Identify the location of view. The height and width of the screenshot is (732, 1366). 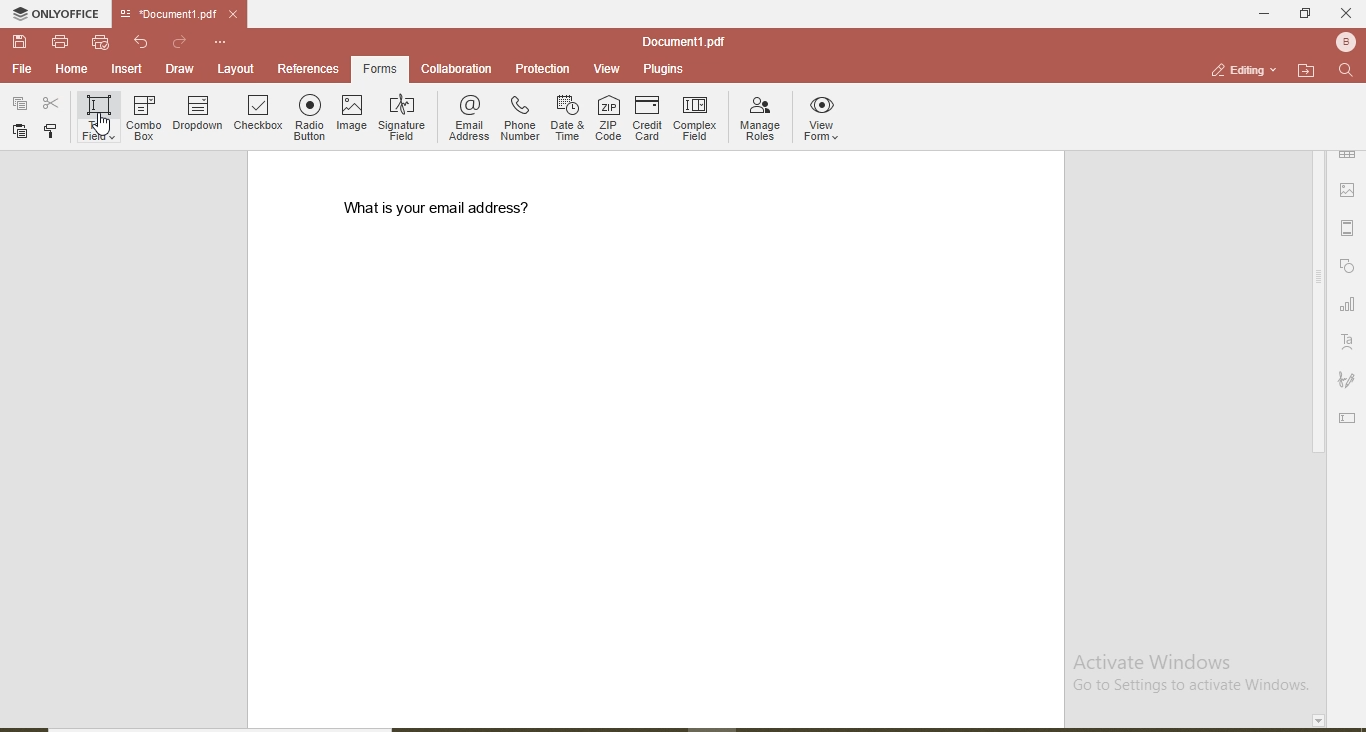
(601, 66).